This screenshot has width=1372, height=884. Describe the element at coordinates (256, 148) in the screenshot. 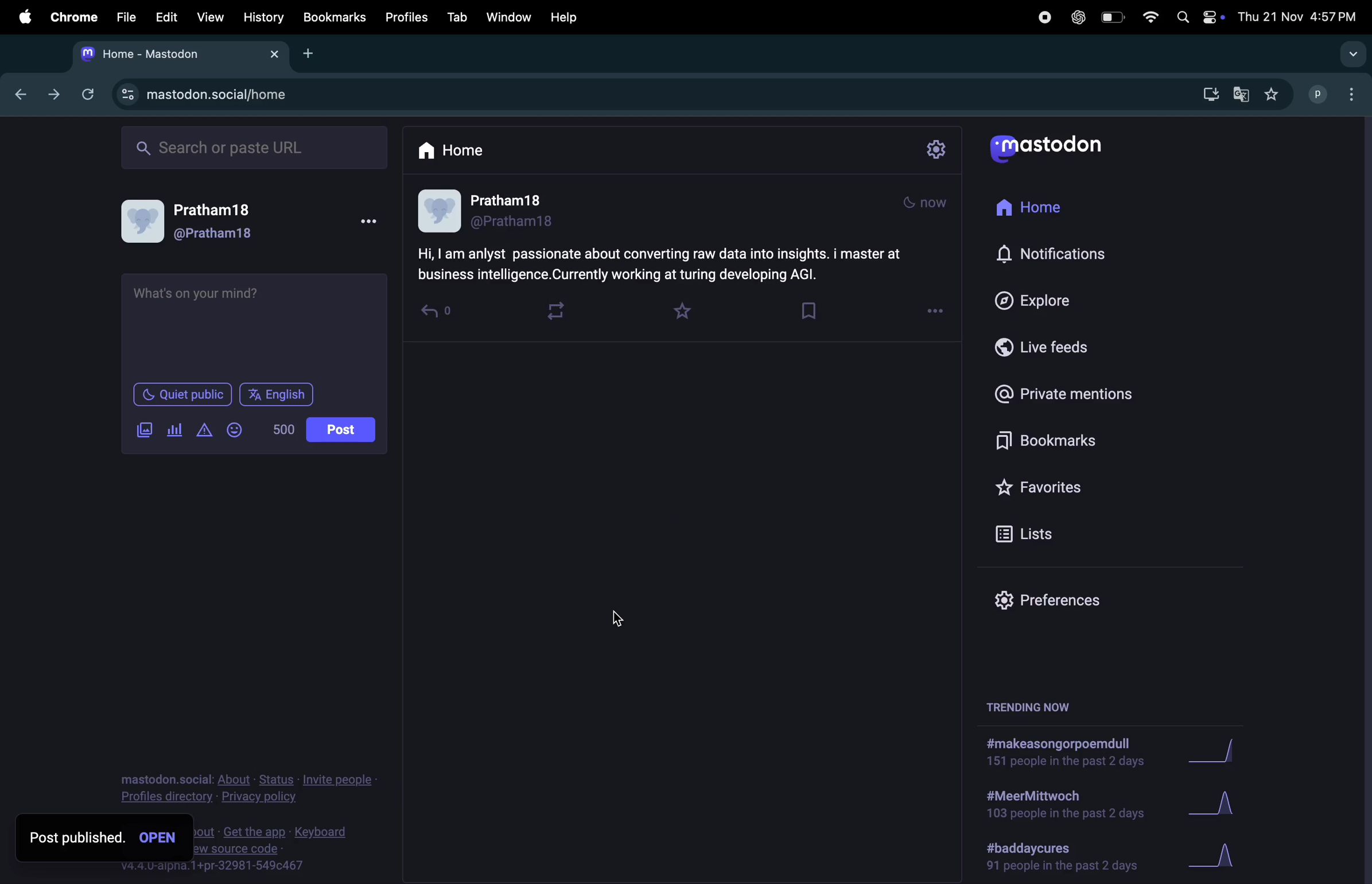

I see `searchbar` at that location.